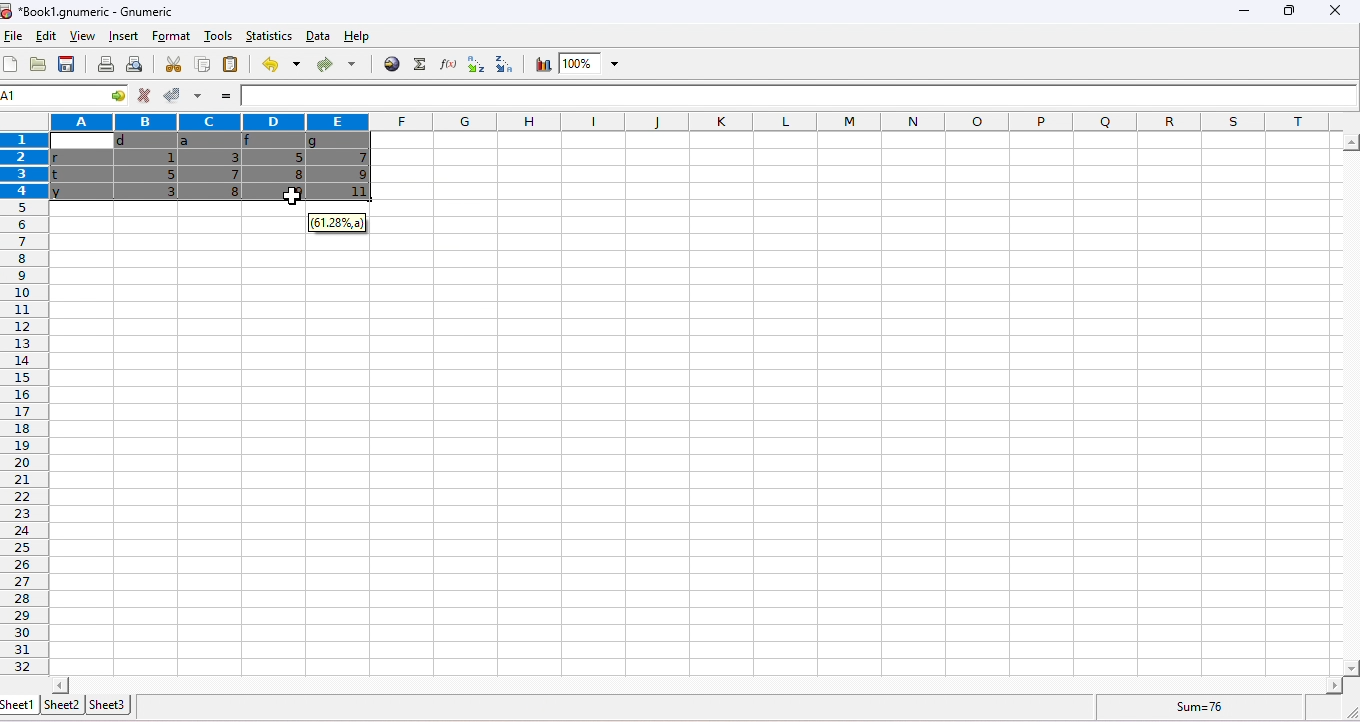 Image resolution: width=1360 pixels, height=722 pixels. Describe the element at coordinates (61, 704) in the screenshot. I see `sheet2` at that location.